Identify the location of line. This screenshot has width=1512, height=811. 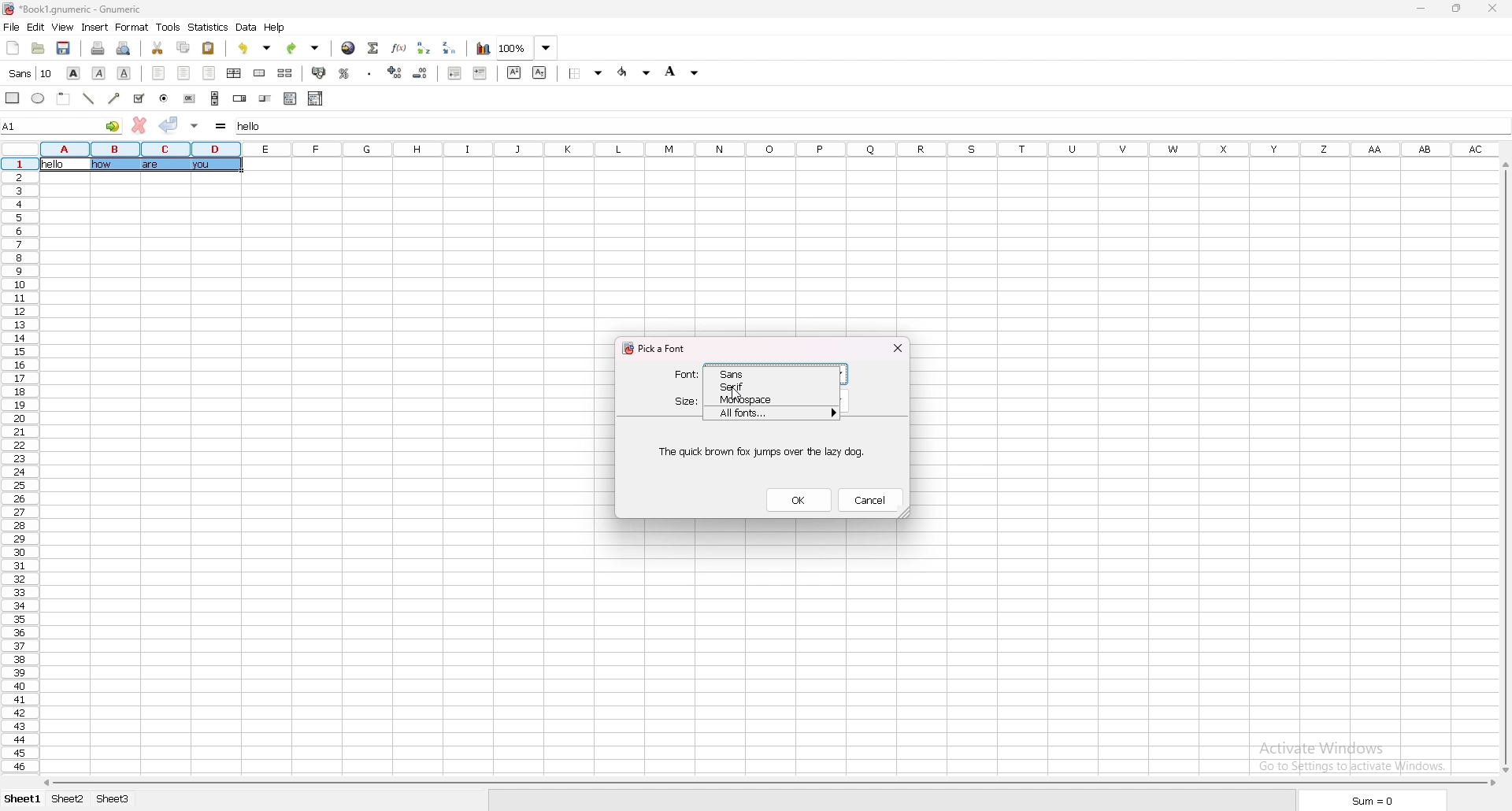
(89, 99).